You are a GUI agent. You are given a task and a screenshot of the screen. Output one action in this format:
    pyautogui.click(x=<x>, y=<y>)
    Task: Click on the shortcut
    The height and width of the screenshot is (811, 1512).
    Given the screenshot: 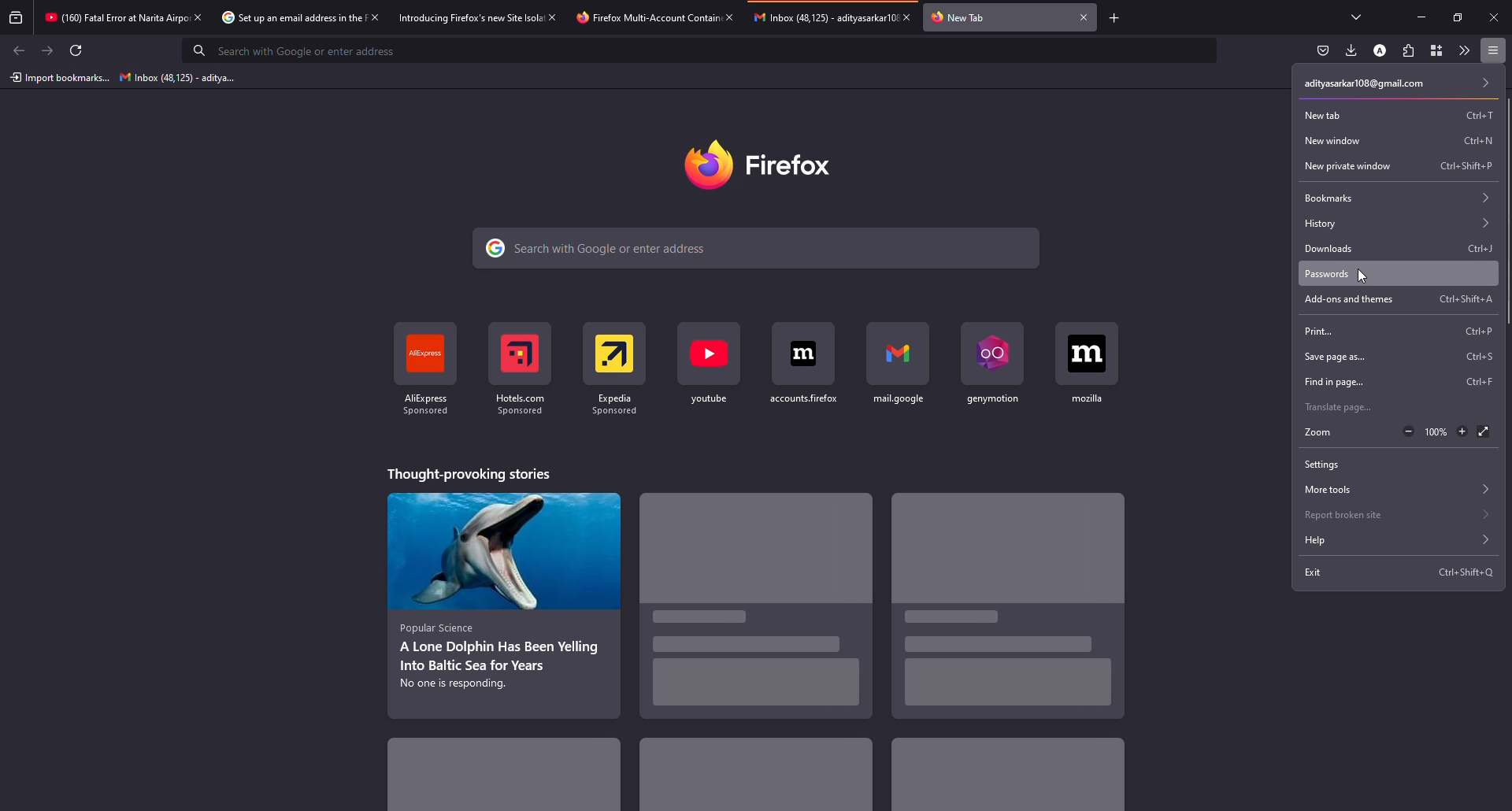 What is the action you would take?
    pyautogui.click(x=1476, y=383)
    